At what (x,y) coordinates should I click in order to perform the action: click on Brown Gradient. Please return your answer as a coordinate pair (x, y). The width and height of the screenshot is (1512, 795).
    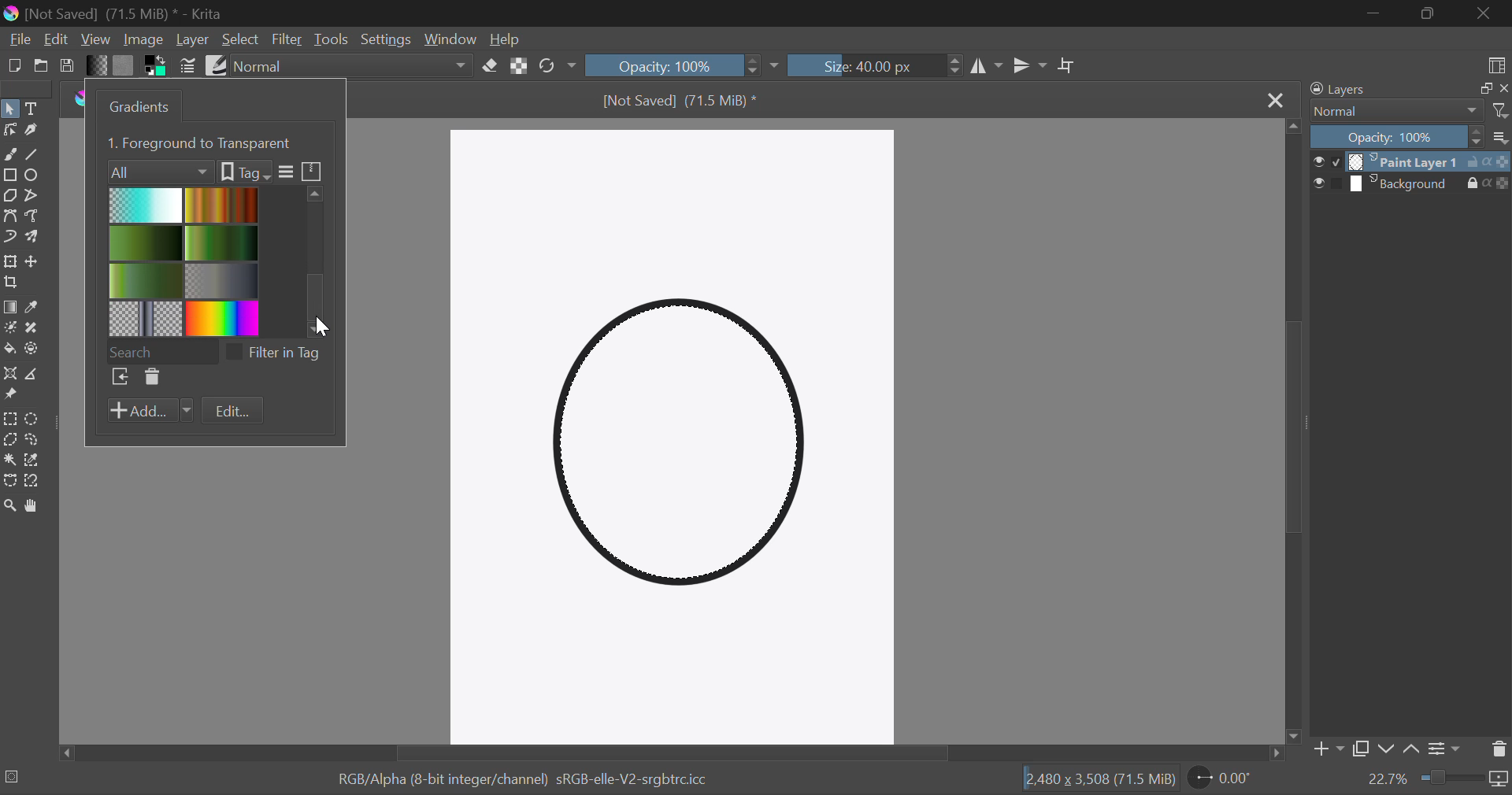
    Looking at the image, I should click on (223, 205).